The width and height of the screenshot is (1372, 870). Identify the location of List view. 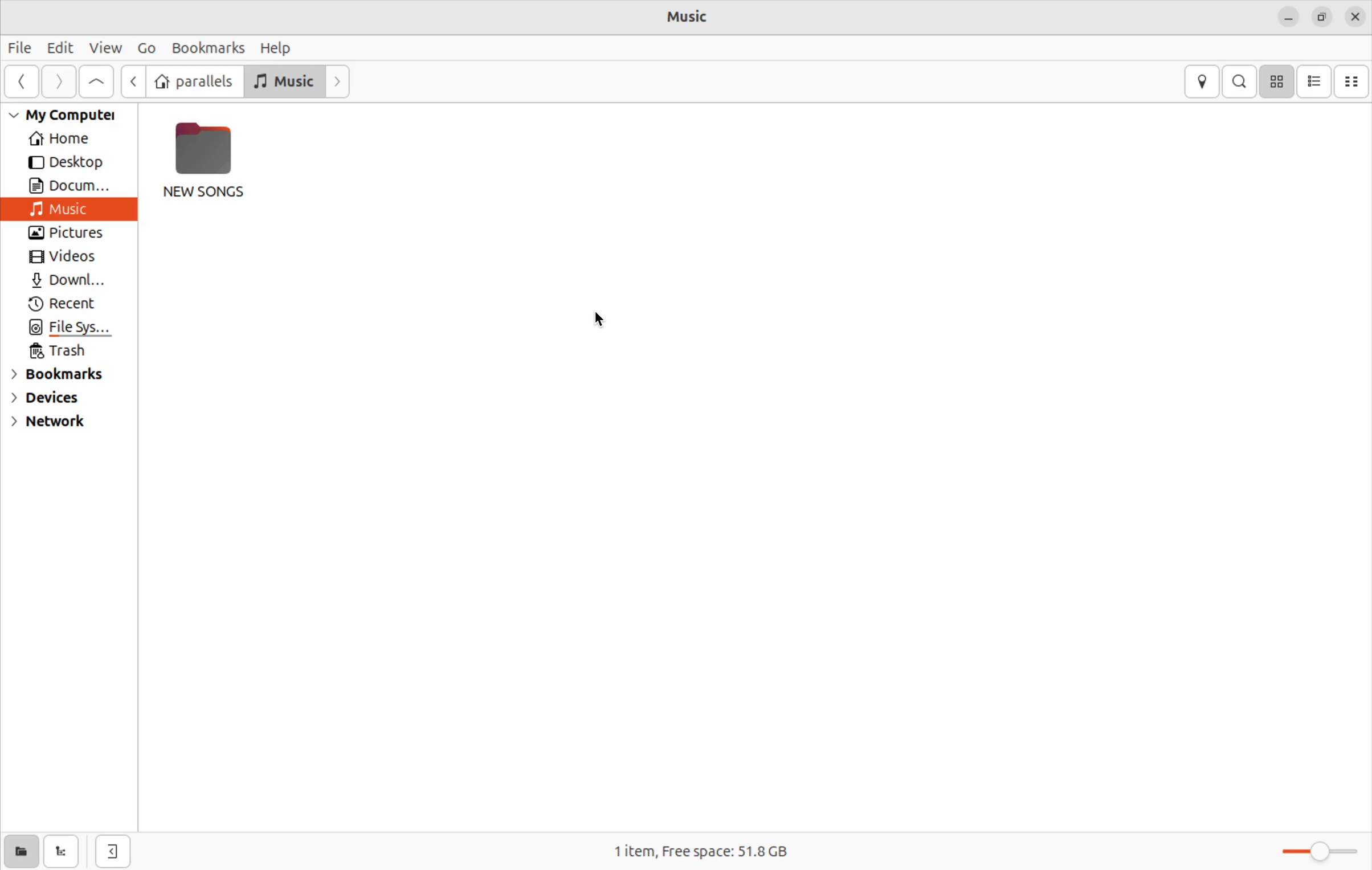
(1314, 80).